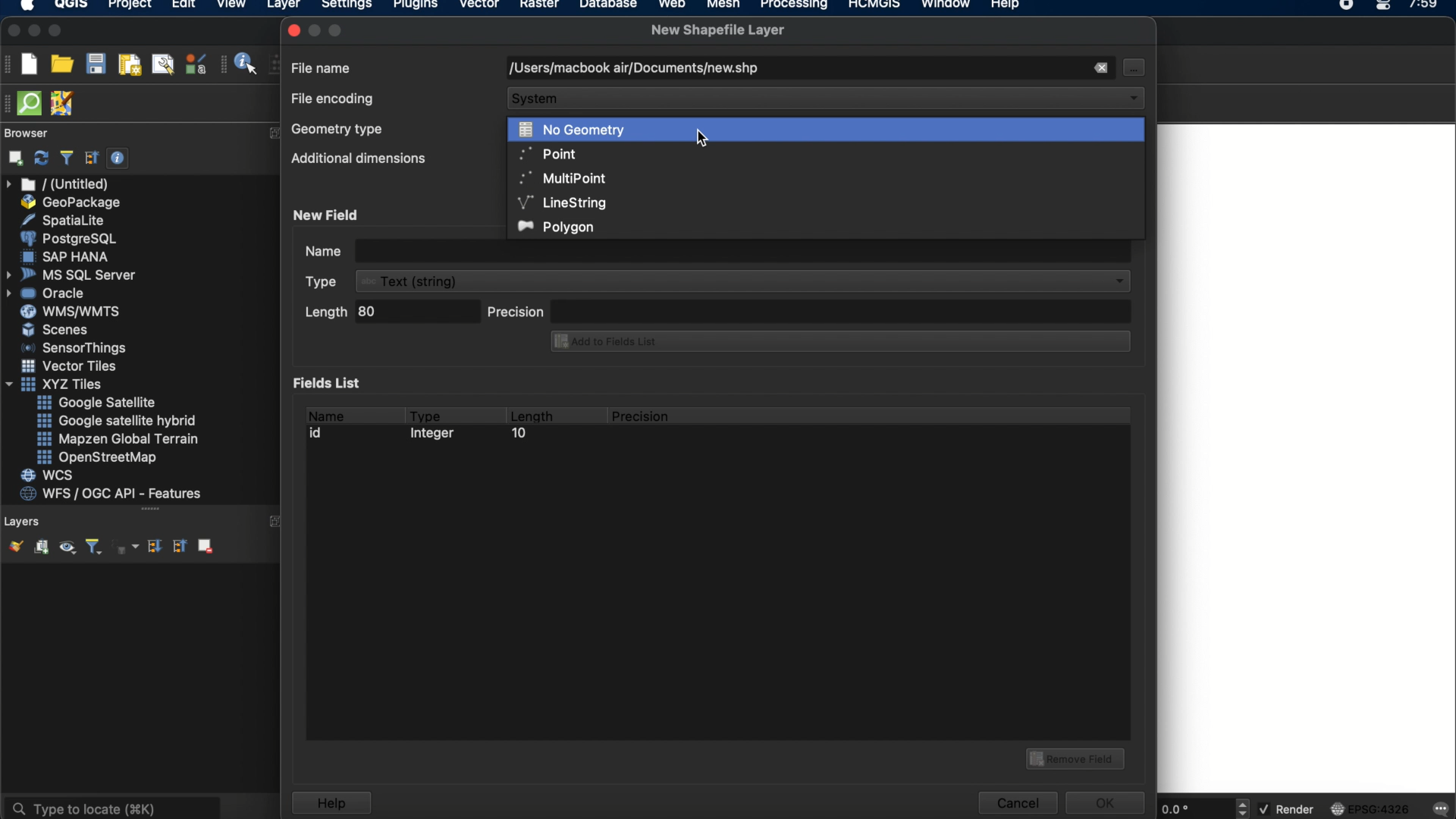 This screenshot has width=1456, height=819. What do you see at coordinates (334, 99) in the screenshot?
I see `File encoding` at bounding box center [334, 99].